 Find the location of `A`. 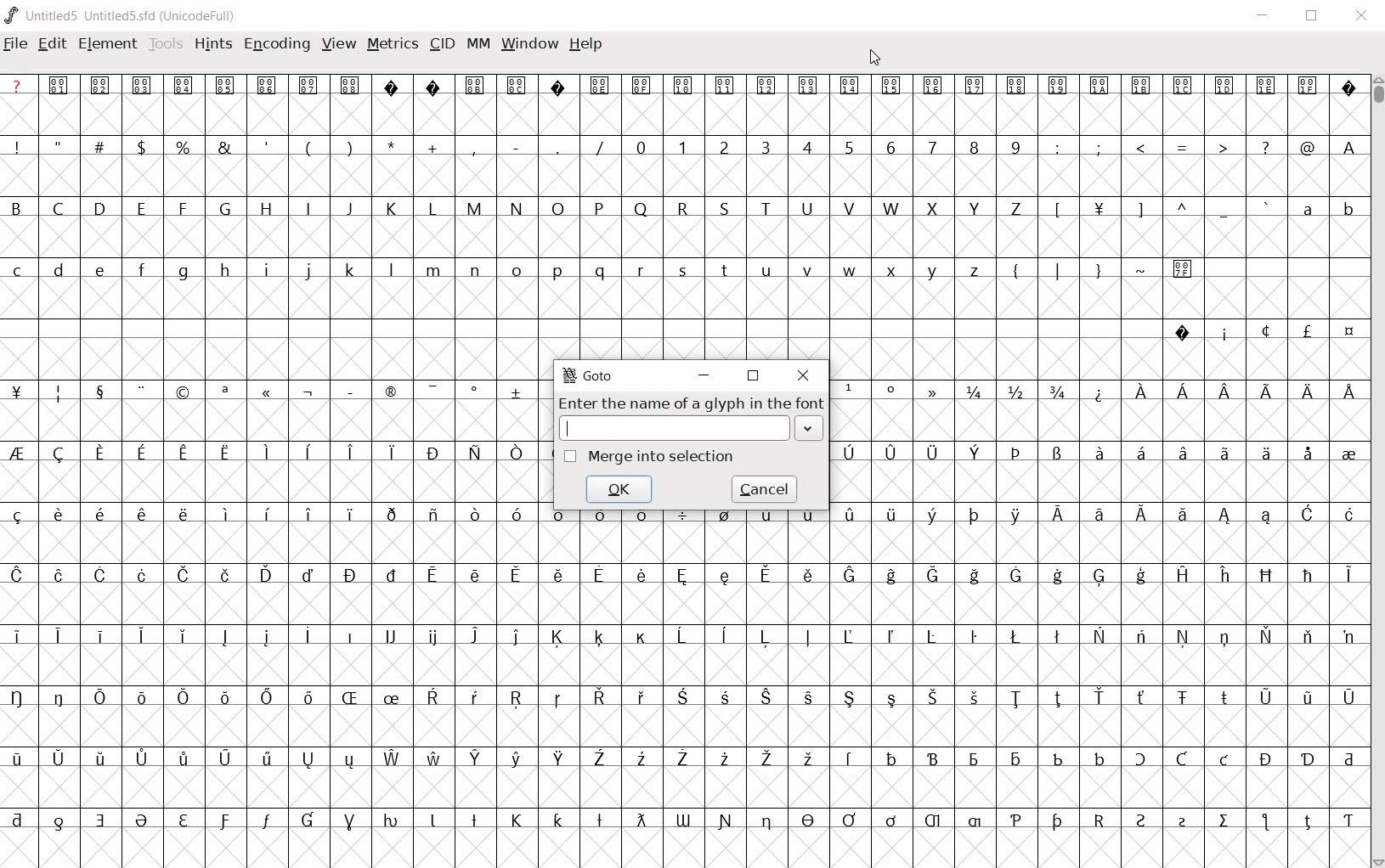

A is located at coordinates (1347, 146).